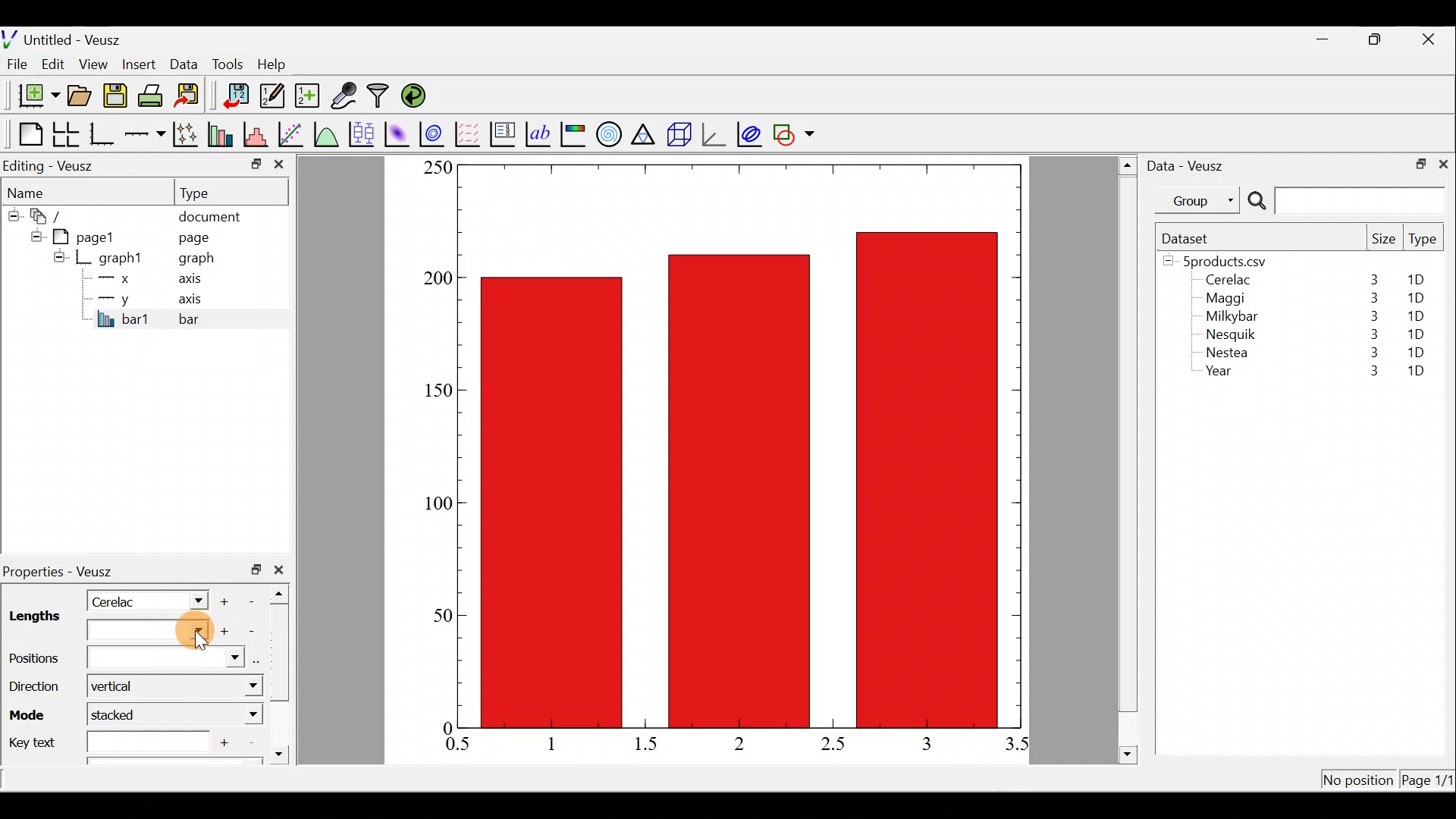 This screenshot has width=1456, height=819. Describe the element at coordinates (1370, 355) in the screenshot. I see `3` at that location.